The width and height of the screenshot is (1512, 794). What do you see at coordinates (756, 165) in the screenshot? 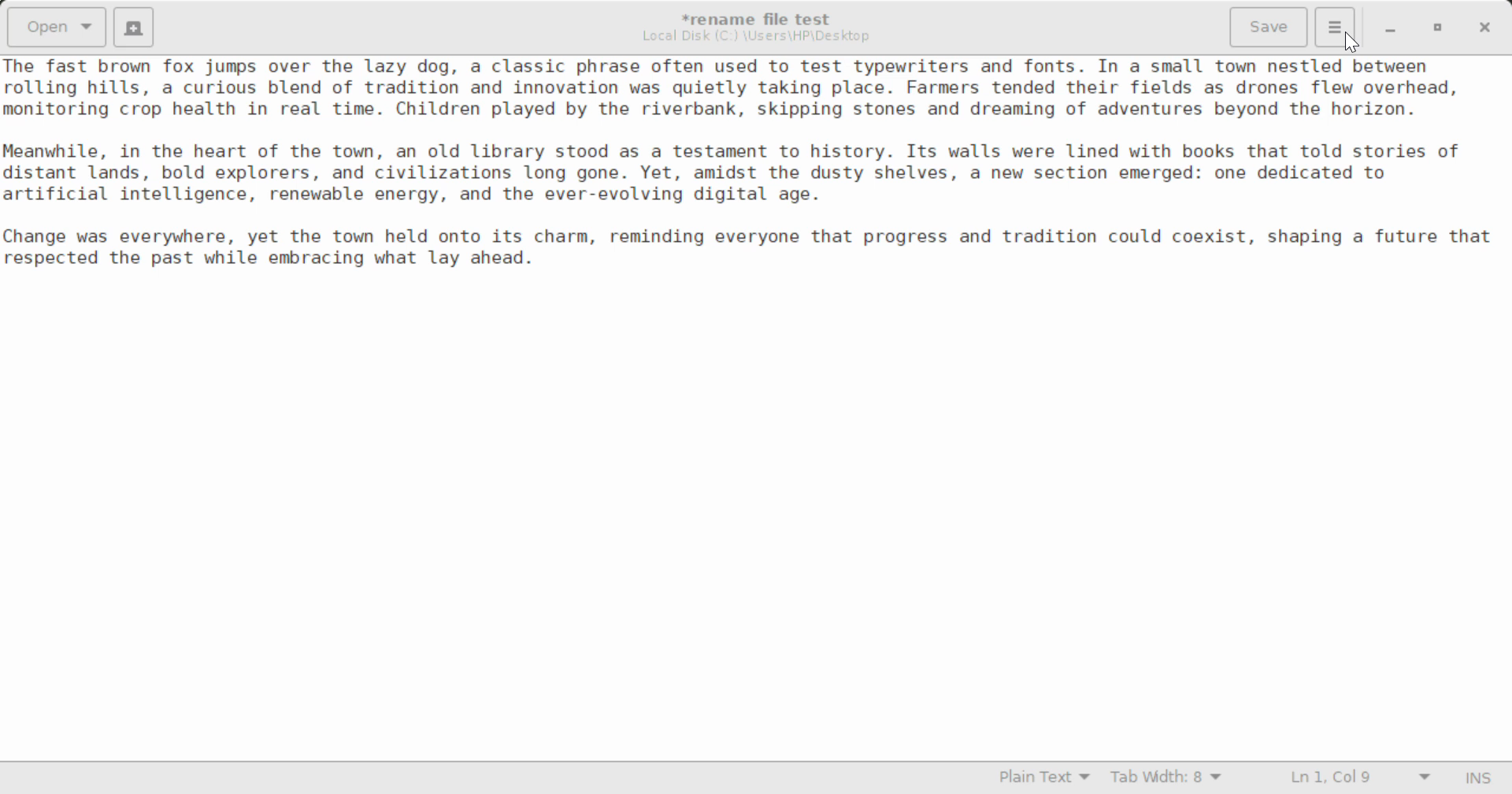
I see `Ihe Tast brown Tox jumps over the lazy dog, a classic phrase often used to test typewriters and fonts. In a small town nestled between
rolling hills, a curious blend of tradition and innovation was quietly taking place. Farmers tended their fields as drones flew overhead,
nonitoring crop health in real time. Children played by the riverbank, skipping stones and dreaming of adventures beyond the horizon.
leanwhile, in the heart of the town, an old library stood as a testament to history. Its walls were lined with books that told stories of
iistant lands, bold explorers, and civilizations long gone. Yet, amidst the dusty shelves, a new section emerged: one dedicated to
artificial intelligence, renewable energy, and the ever-evolving digital age.

“hange was everywhere, yet the town held onto its charm, reminding everyone that progress and tradition could coexist, shaping a future that
respected the past while embracing what lay ahead.` at bounding box center [756, 165].